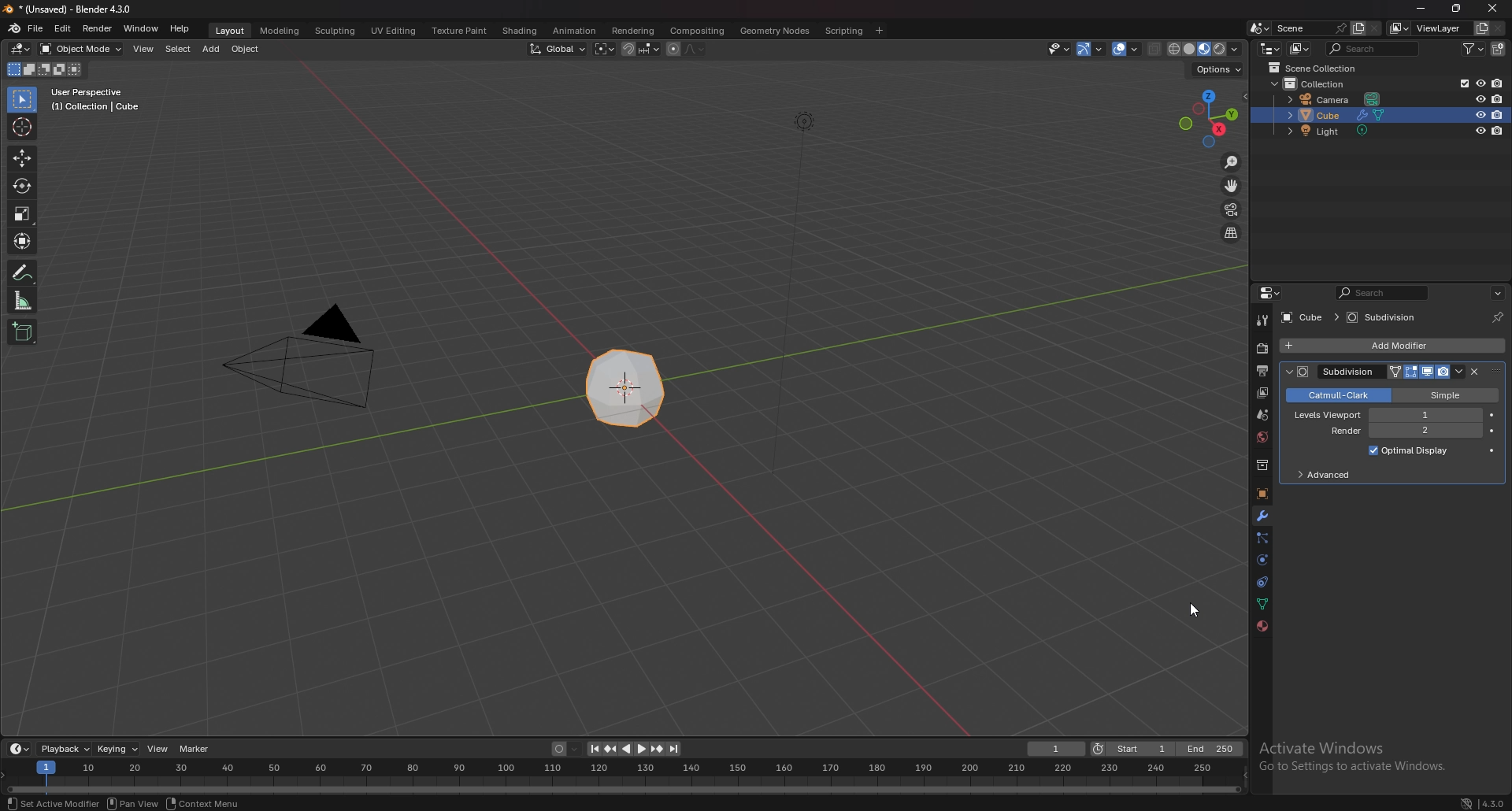 The height and width of the screenshot is (811, 1512). I want to click on editor type, so click(1272, 294).